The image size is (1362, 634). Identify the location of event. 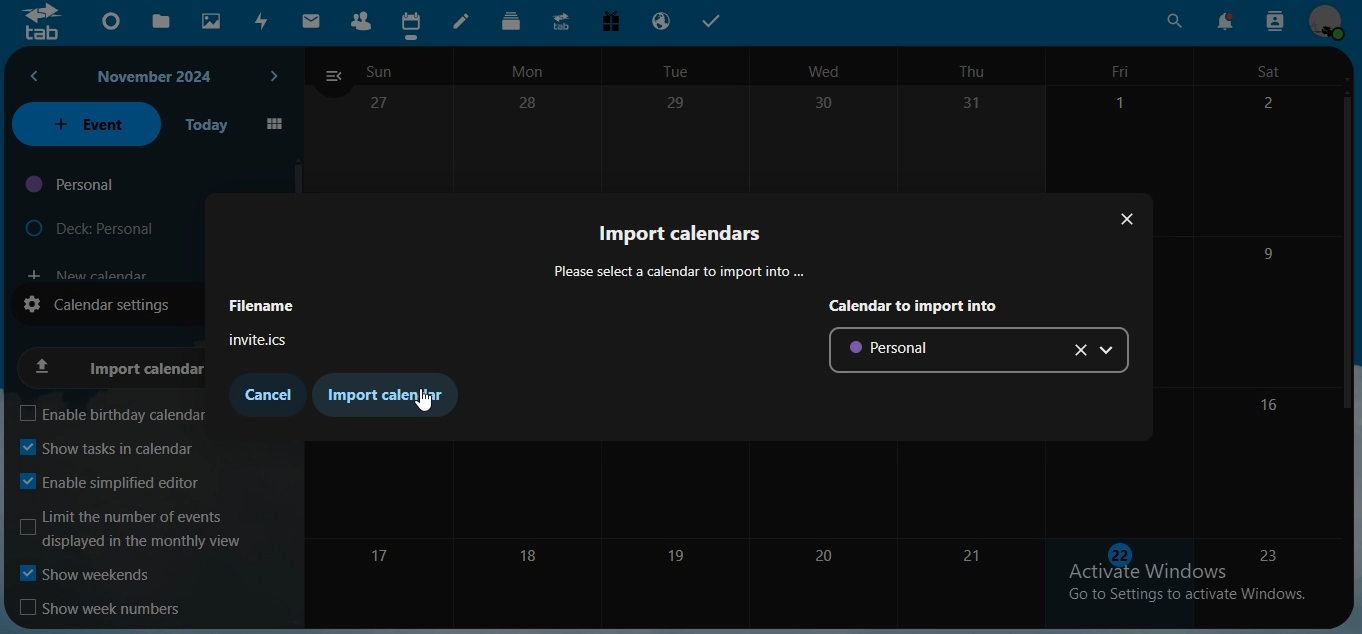
(86, 123).